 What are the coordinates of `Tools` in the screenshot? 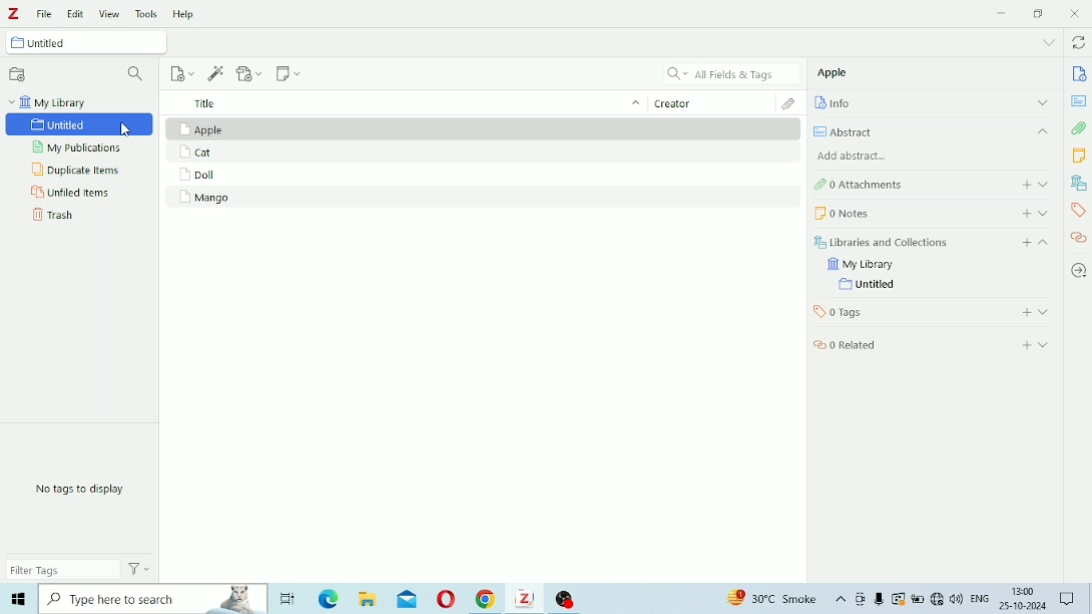 It's located at (147, 13).